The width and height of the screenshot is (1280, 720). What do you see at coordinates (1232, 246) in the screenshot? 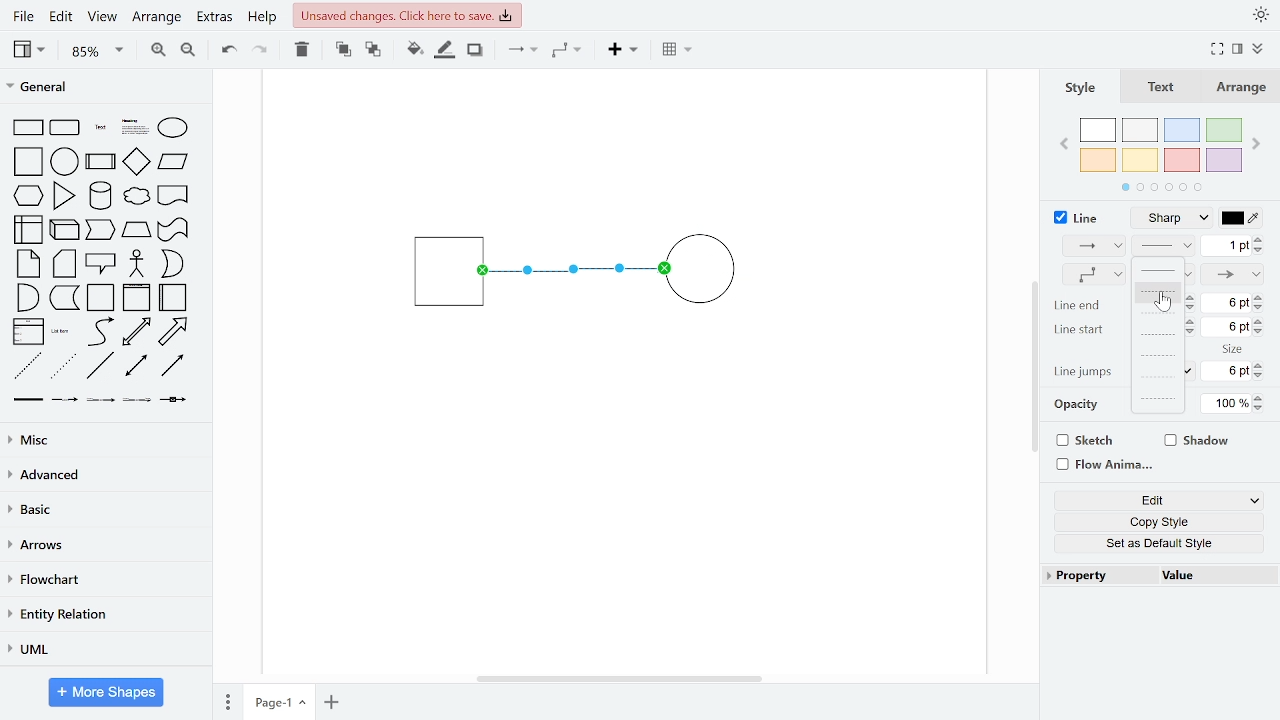
I see `change line width` at bounding box center [1232, 246].